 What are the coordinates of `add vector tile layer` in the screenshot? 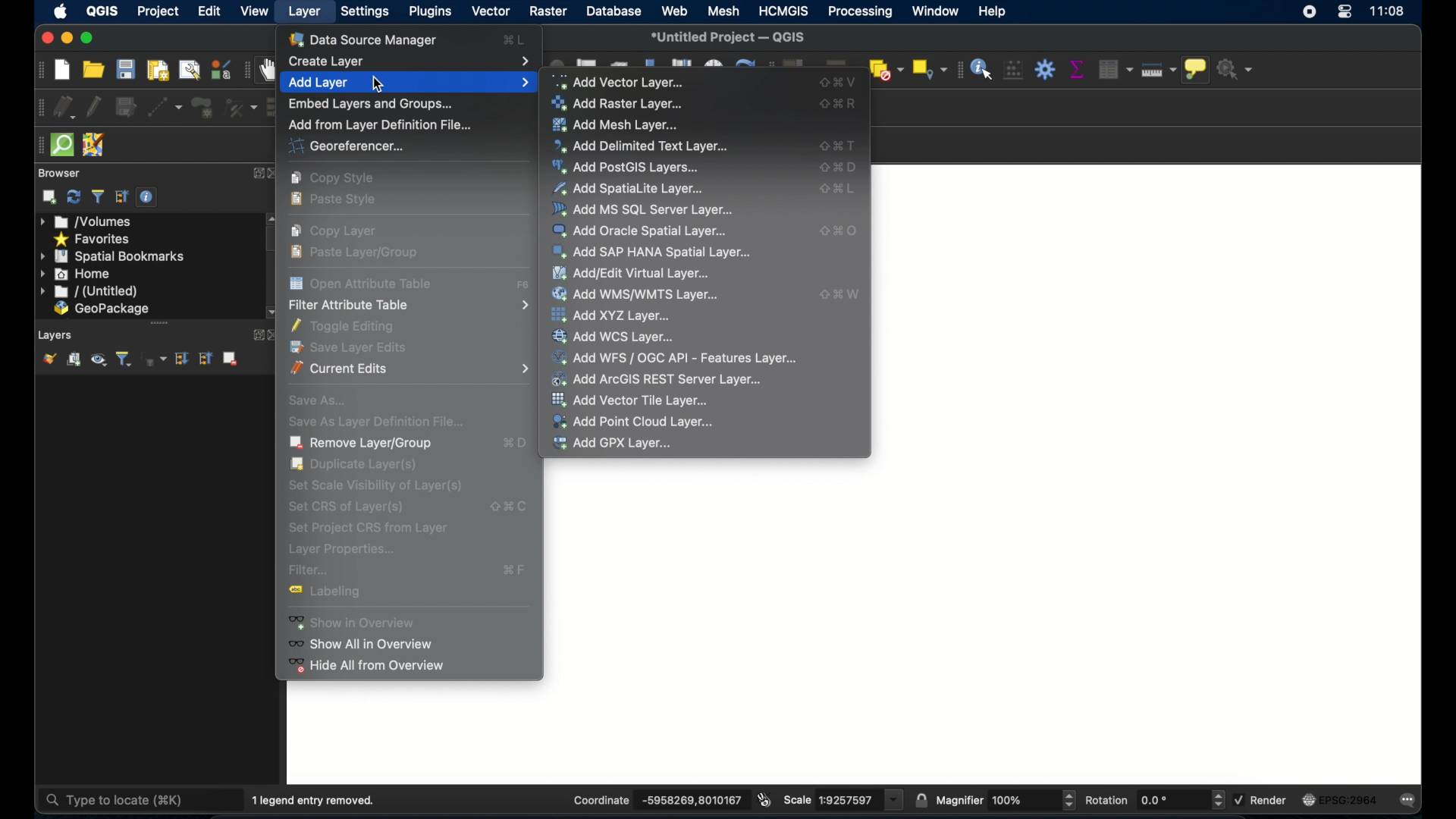 It's located at (633, 400).